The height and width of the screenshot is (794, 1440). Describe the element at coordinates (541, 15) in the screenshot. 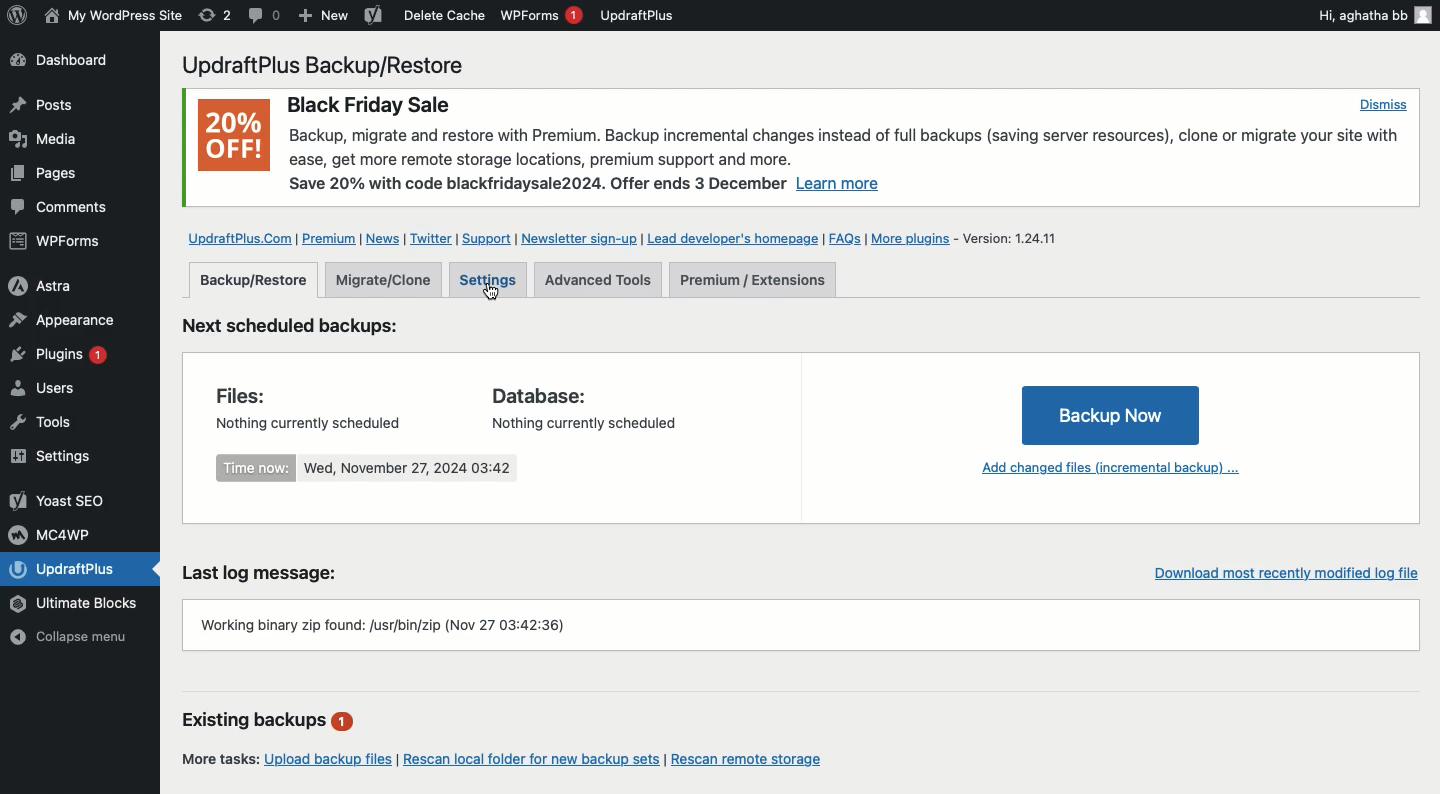

I see `WPForms 1` at that location.